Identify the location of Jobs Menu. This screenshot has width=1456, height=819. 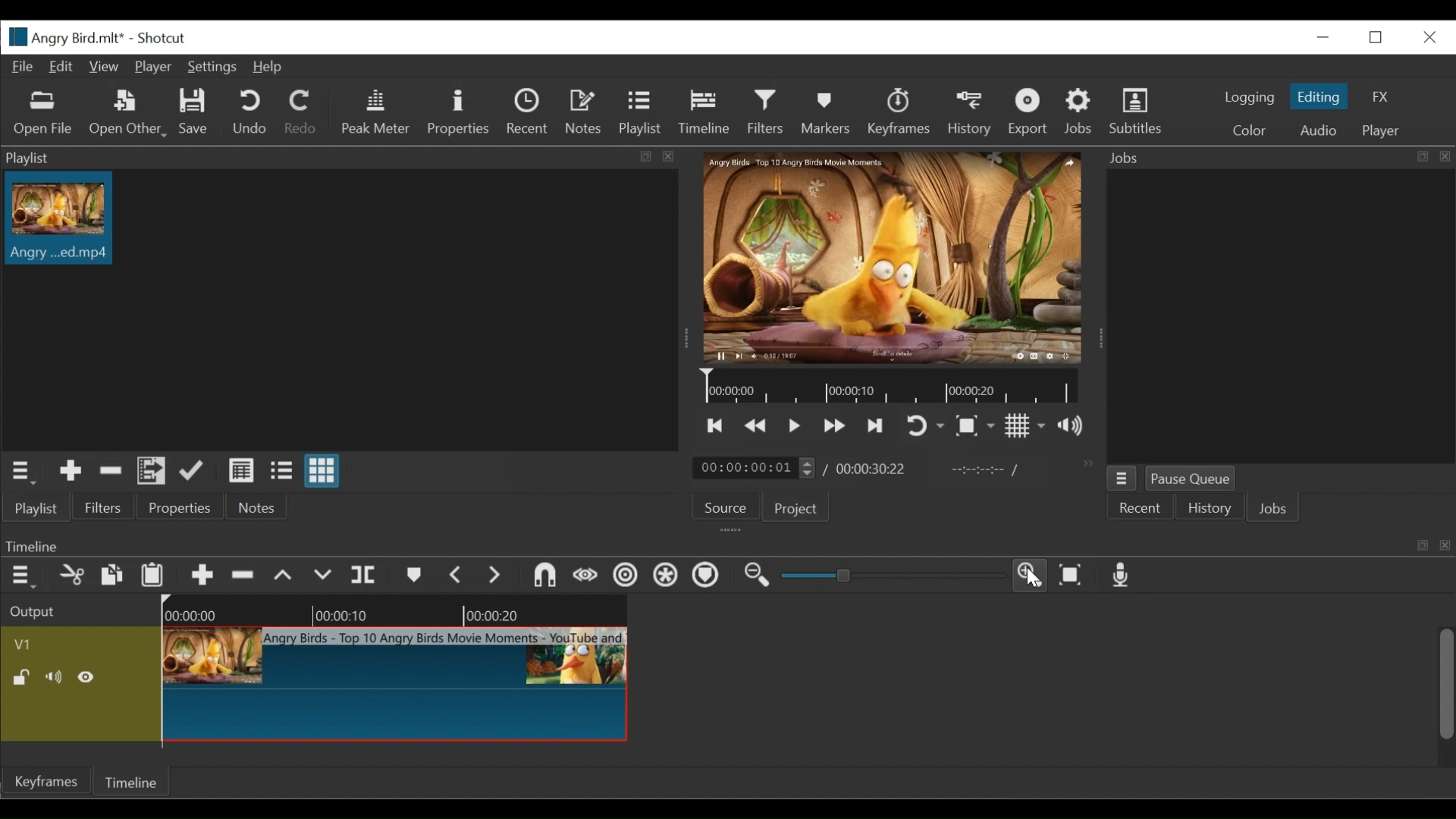
(1121, 479).